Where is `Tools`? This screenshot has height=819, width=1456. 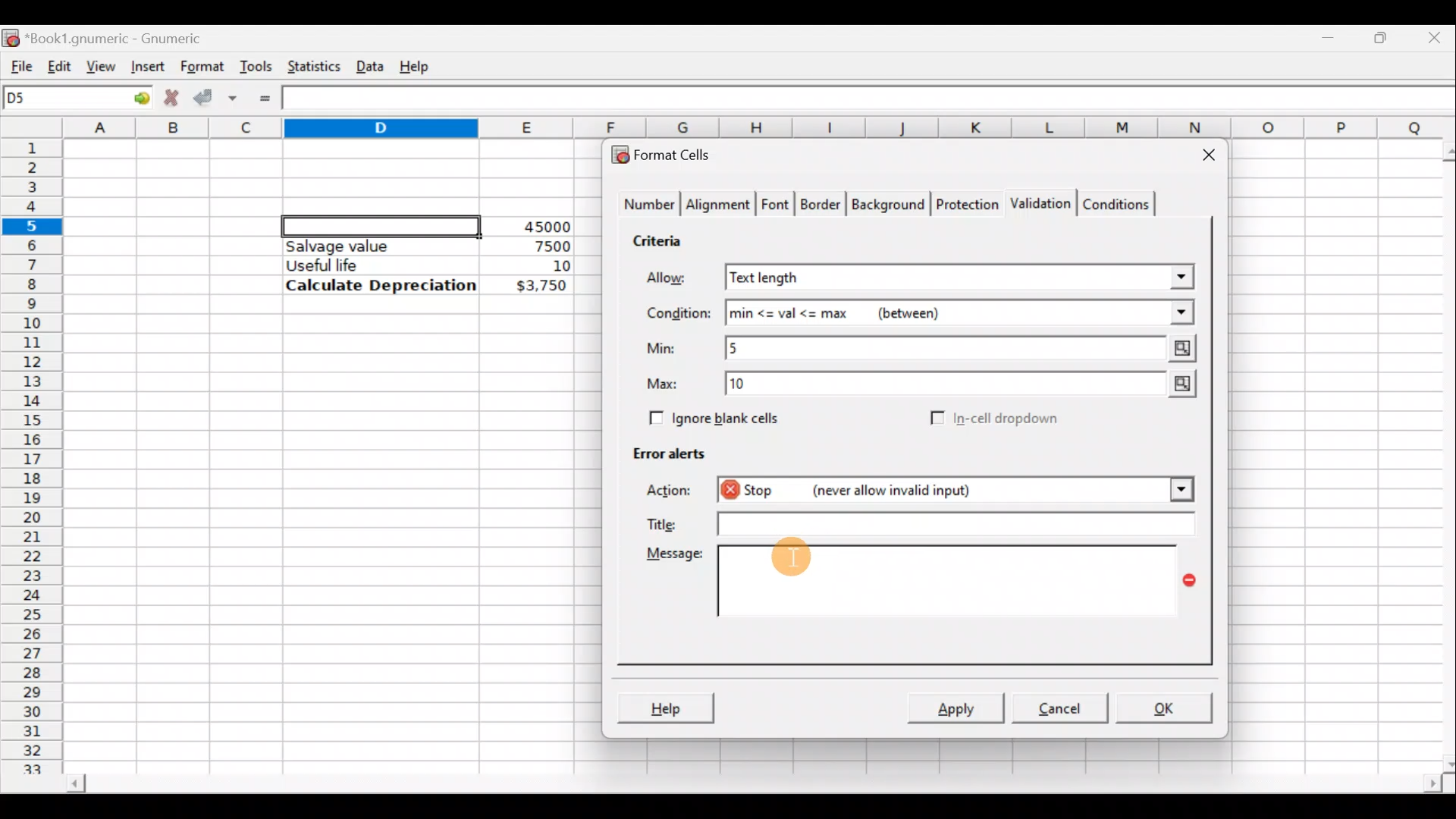 Tools is located at coordinates (256, 65).